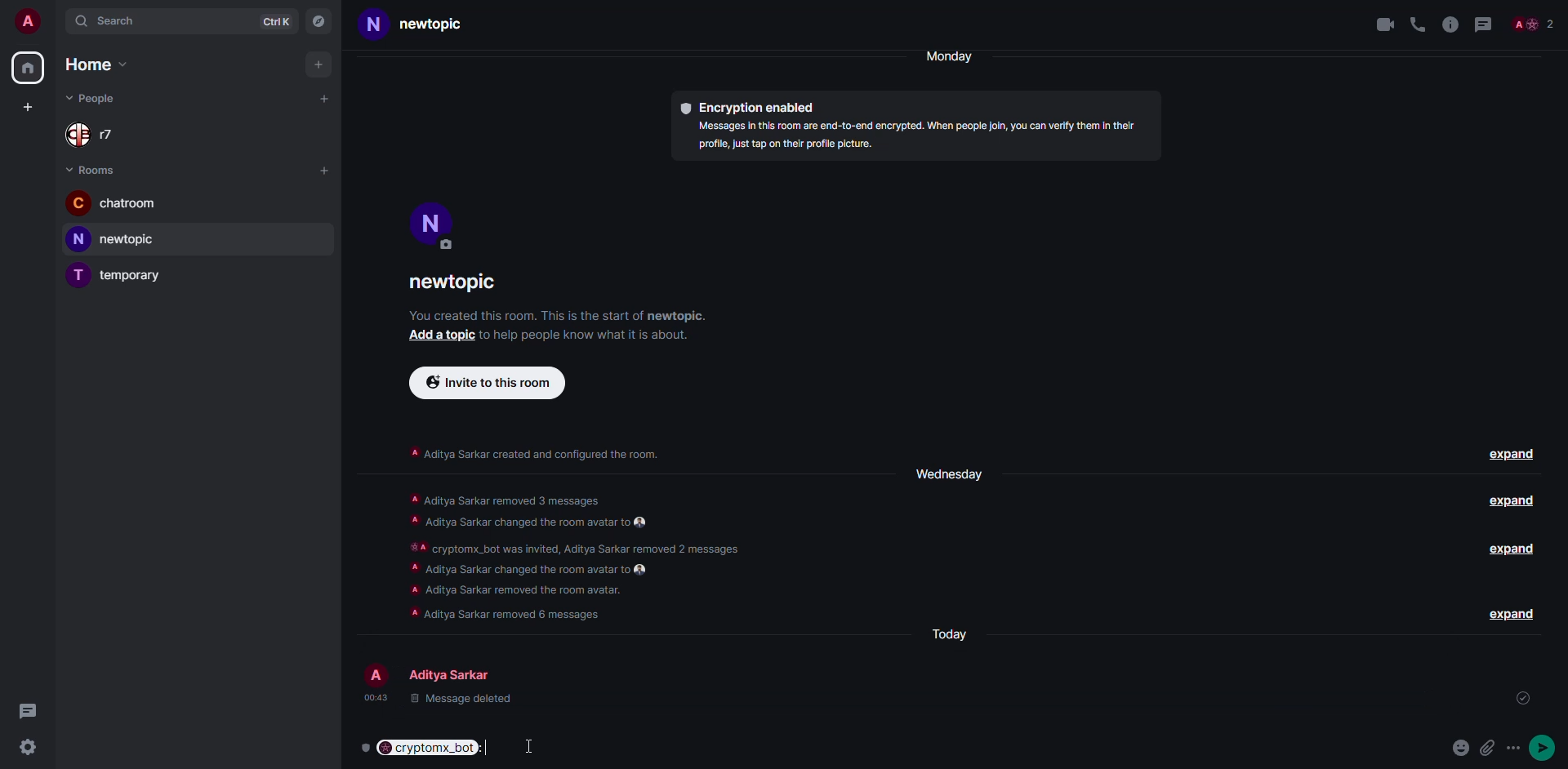 Image resolution: width=1568 pixels, height=769 pixels. I want to click on expand, so click(1512, 456).